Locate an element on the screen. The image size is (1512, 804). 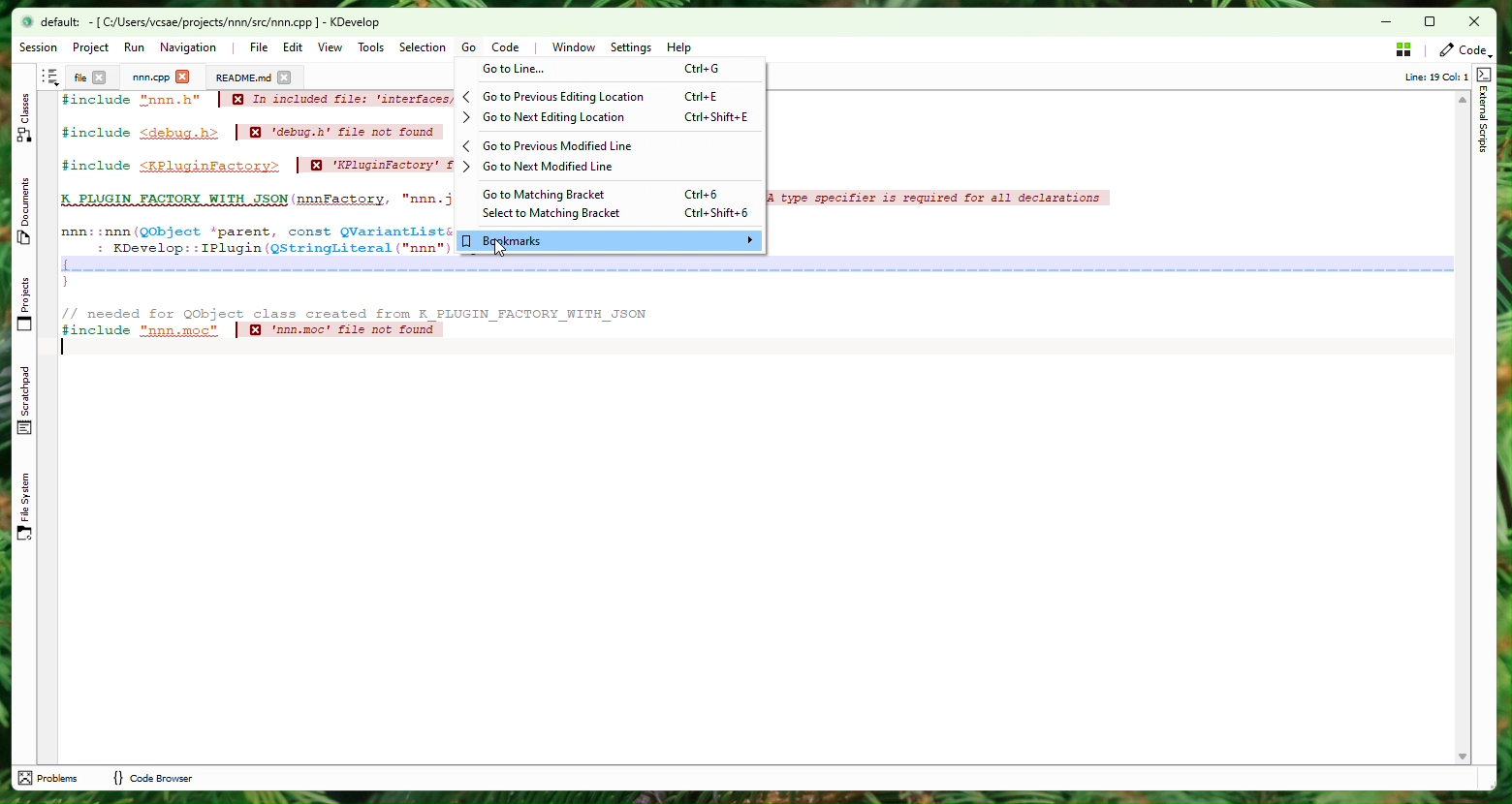
Run is located at coordinates (134, 46).